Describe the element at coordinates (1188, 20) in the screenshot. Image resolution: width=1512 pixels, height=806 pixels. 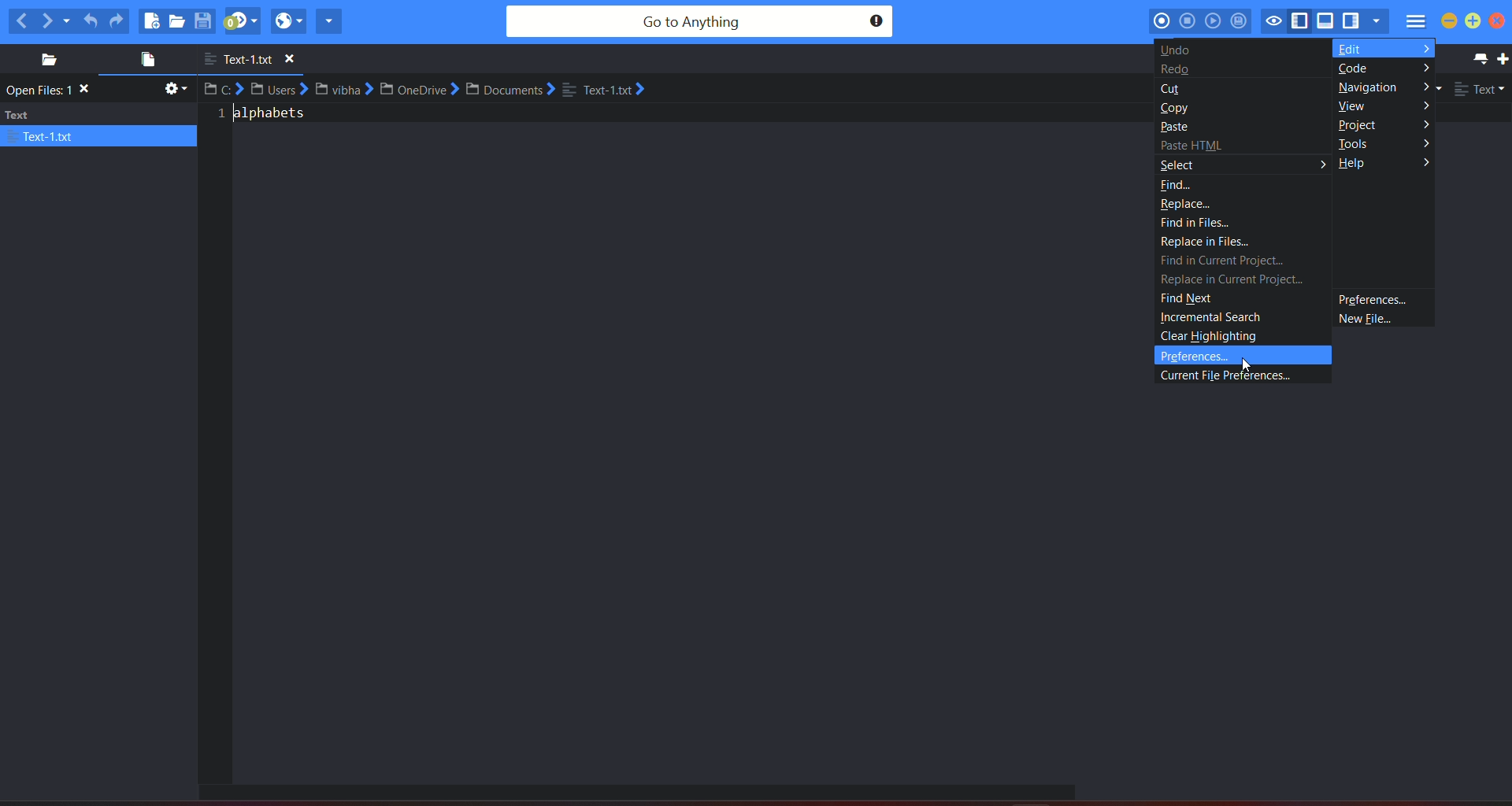
I see `stop recording` at that location.